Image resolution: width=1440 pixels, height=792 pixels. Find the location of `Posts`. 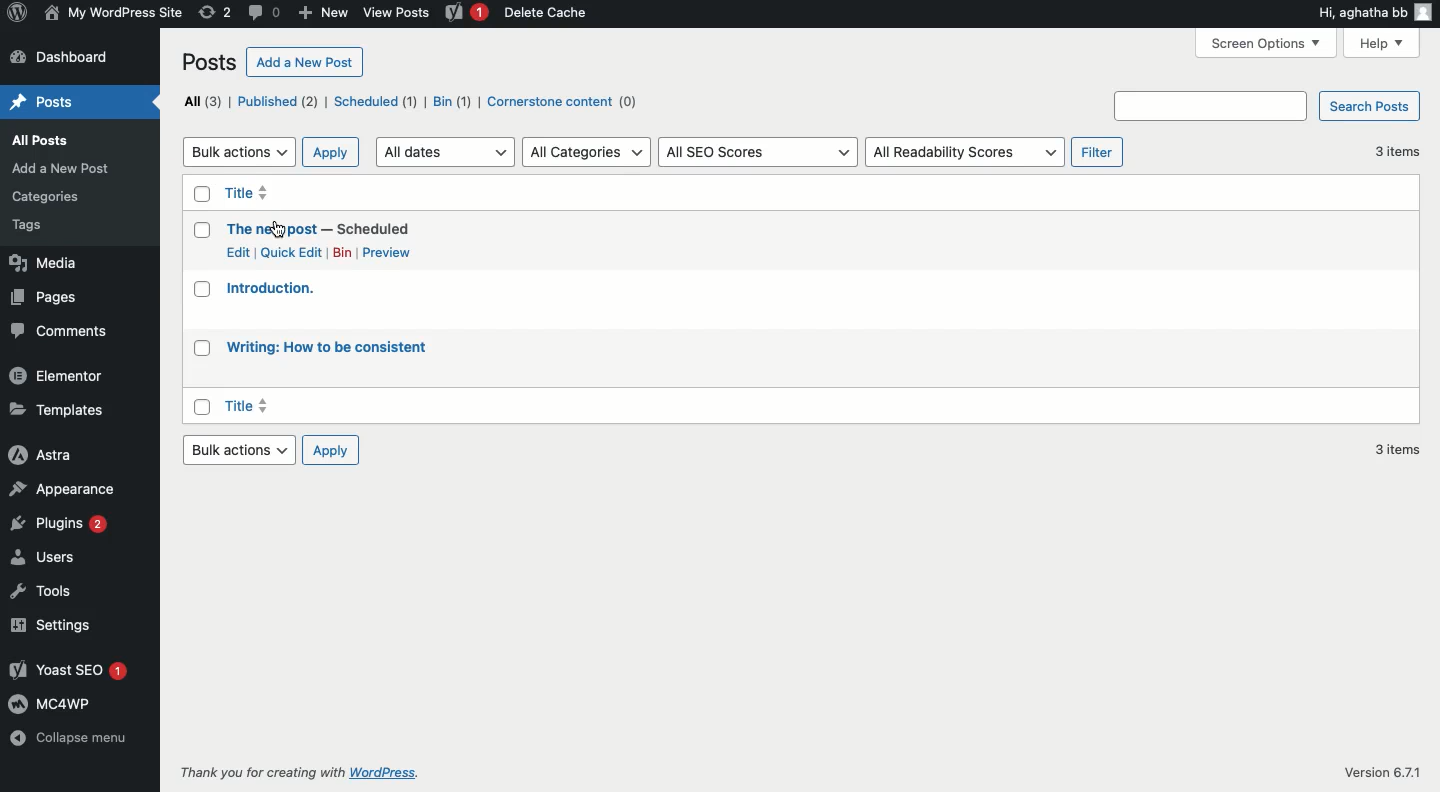

Posts is located at coordinates (208, 62).